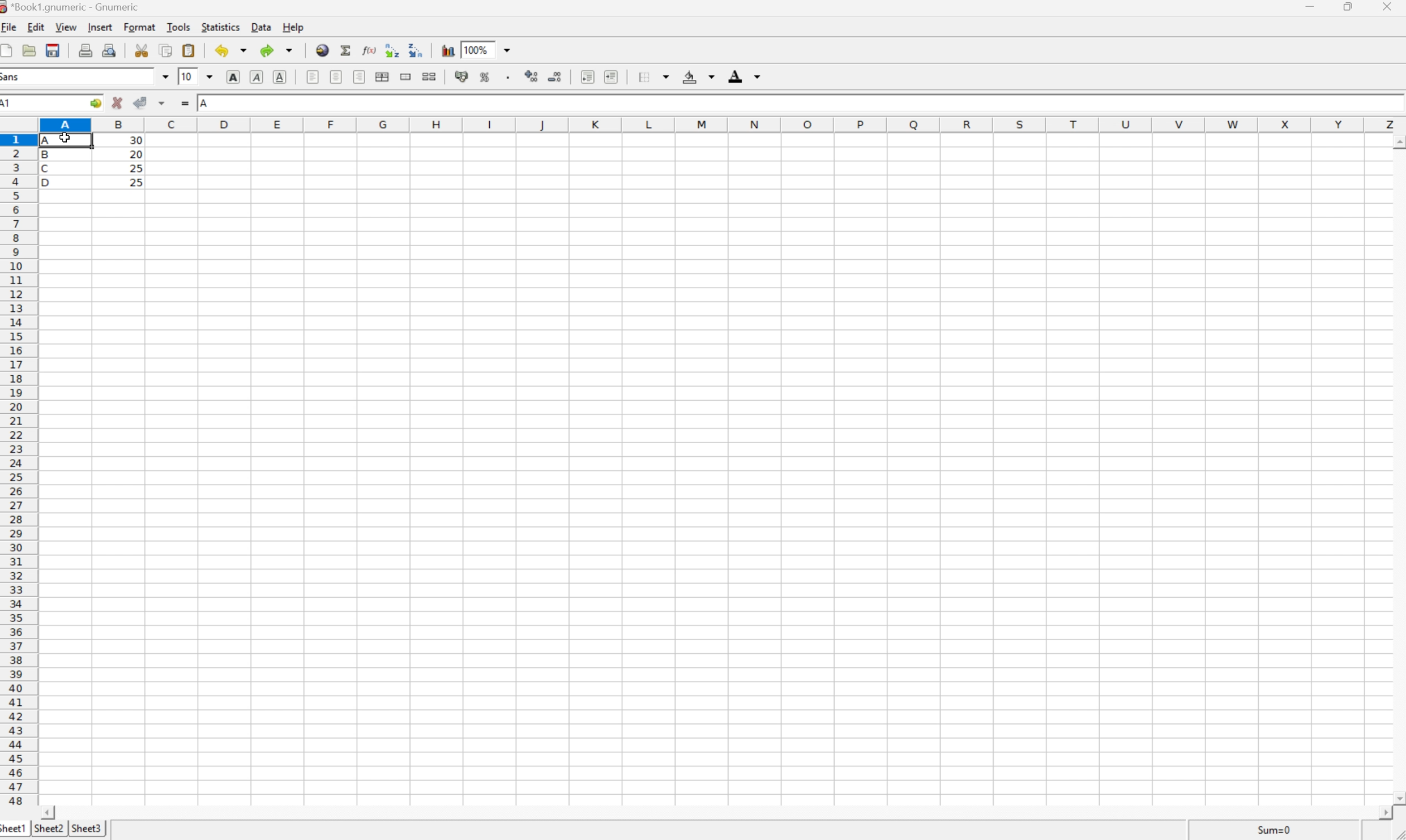 The height and width of the screenshot is (840, 1406). Describe the element at coordinates (36, 27) in the screenshot. I see `Edit` at that location.